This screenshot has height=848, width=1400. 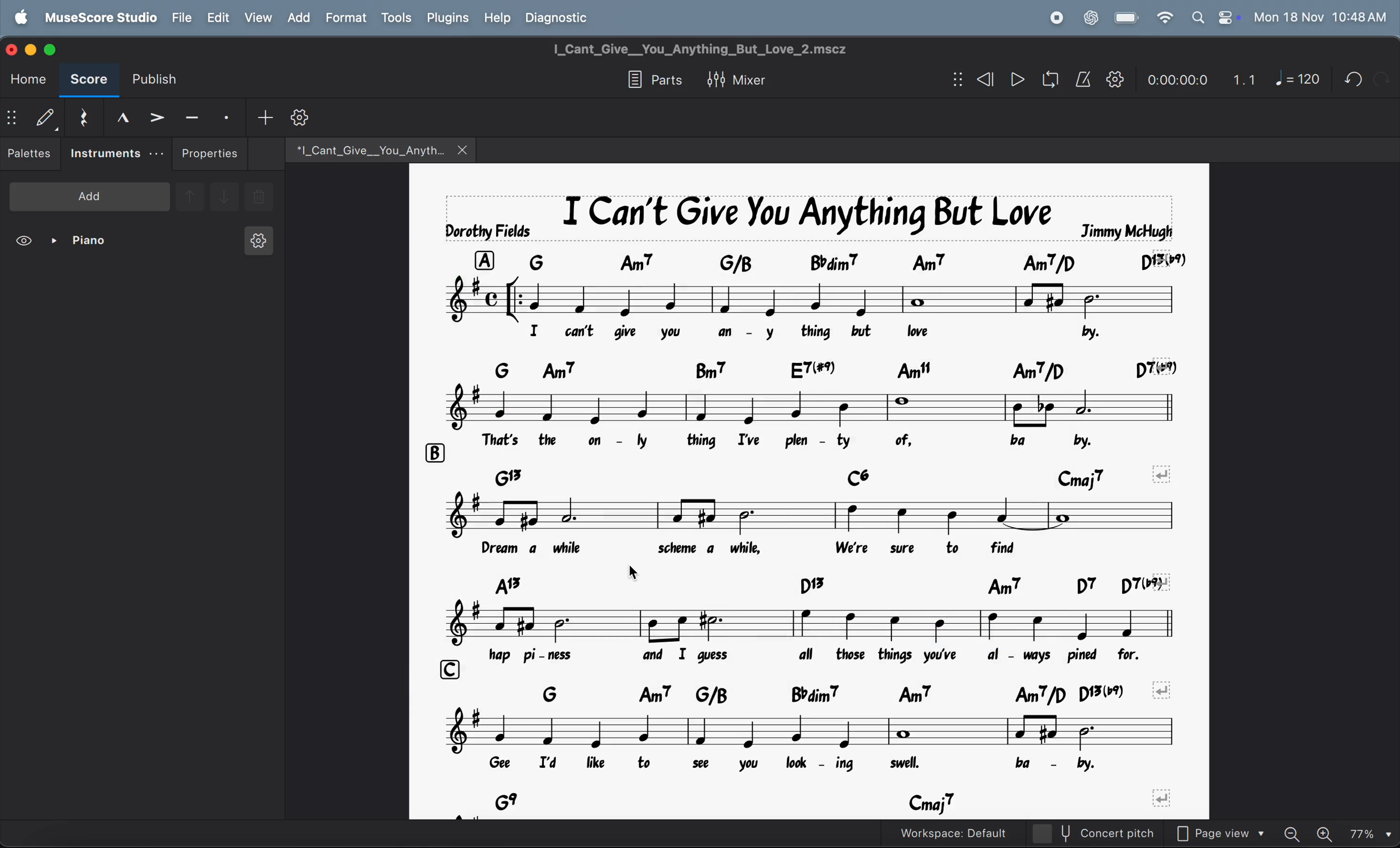 What do you see at coordinates (977, 833) in the screenshot?
I see `workspace default` at bounding box center [977, 833].